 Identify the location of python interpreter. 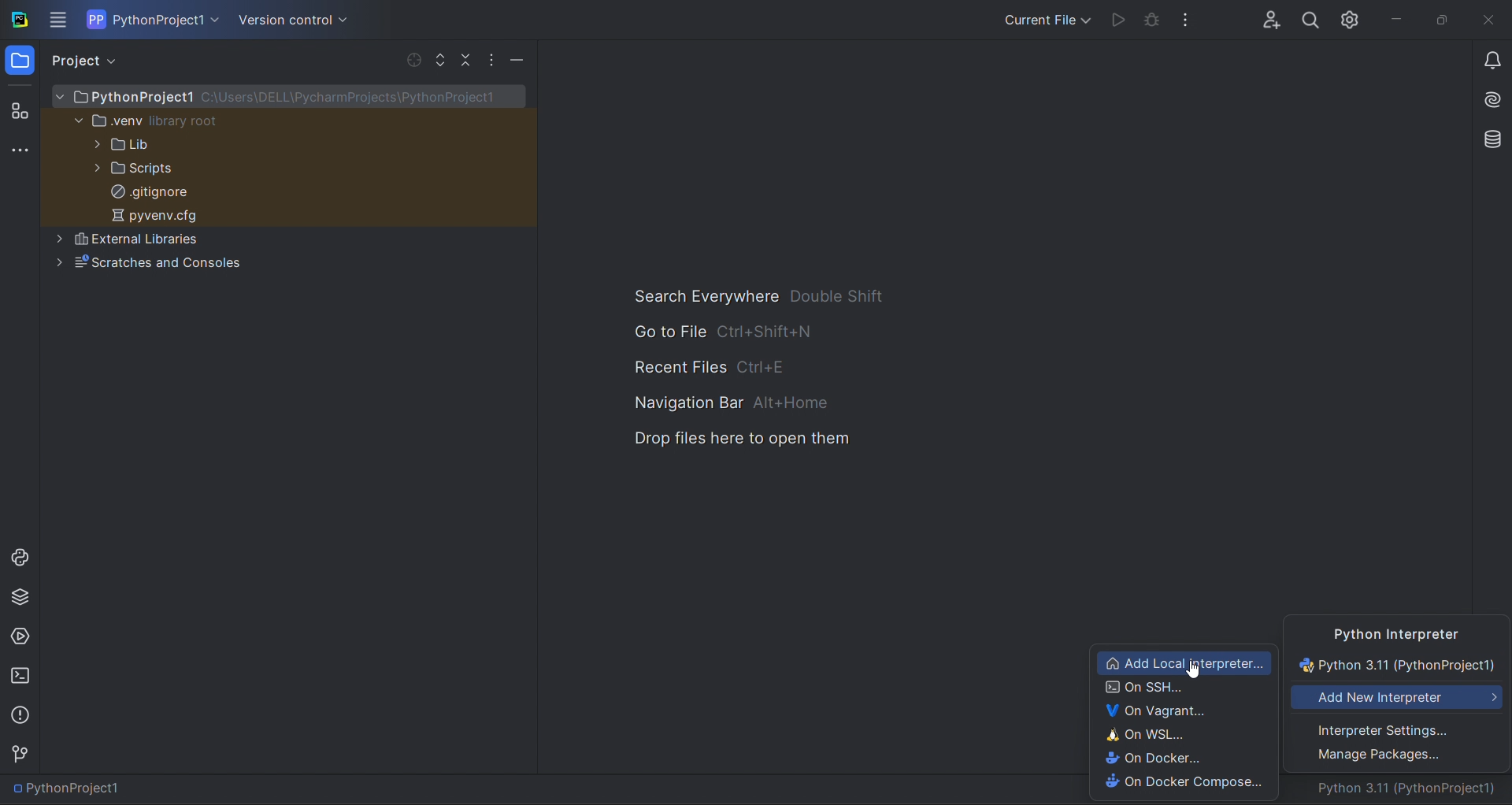
(1398, 632).